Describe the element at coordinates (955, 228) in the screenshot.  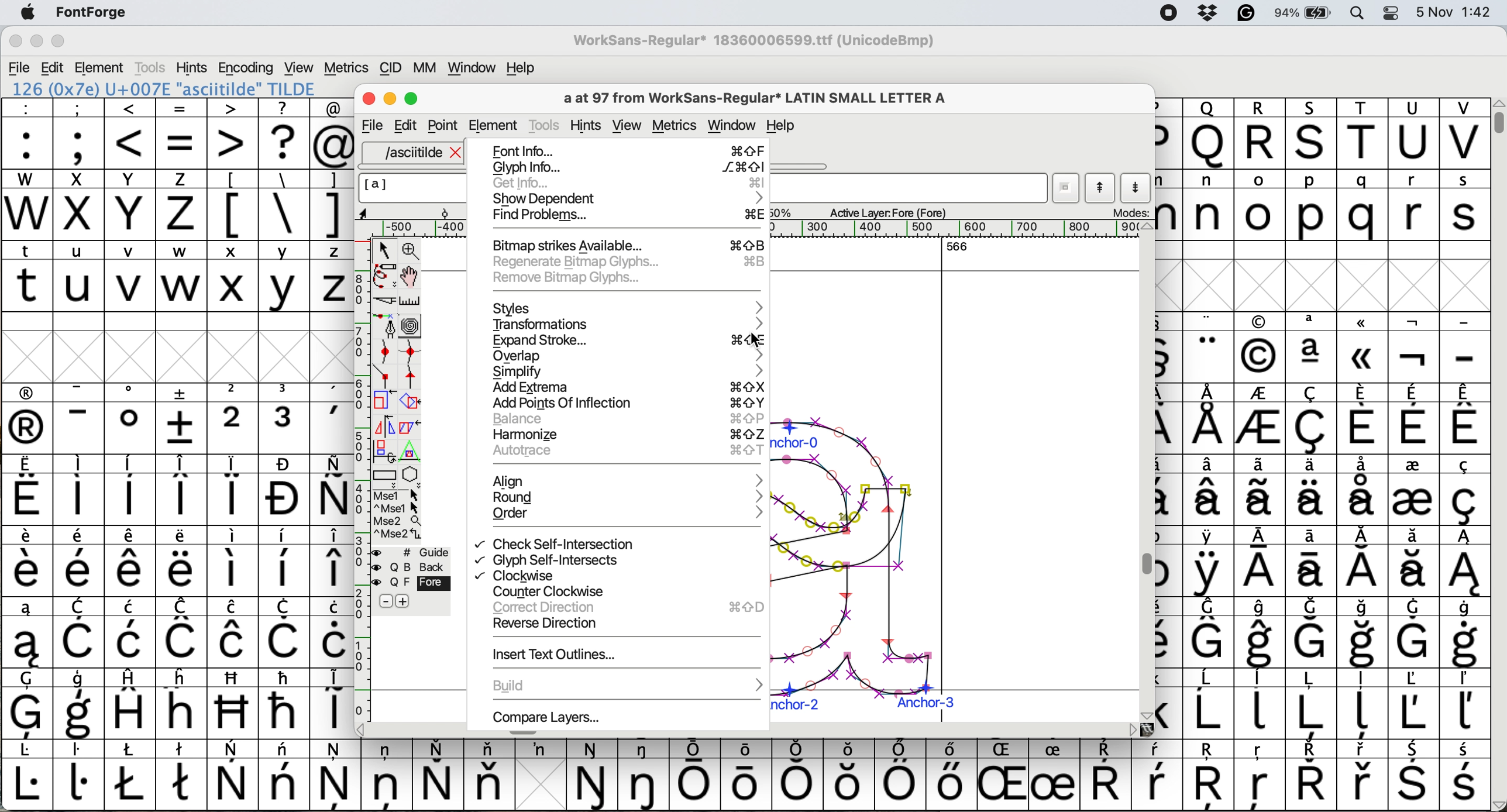
I see `horizontal scale` at that location.